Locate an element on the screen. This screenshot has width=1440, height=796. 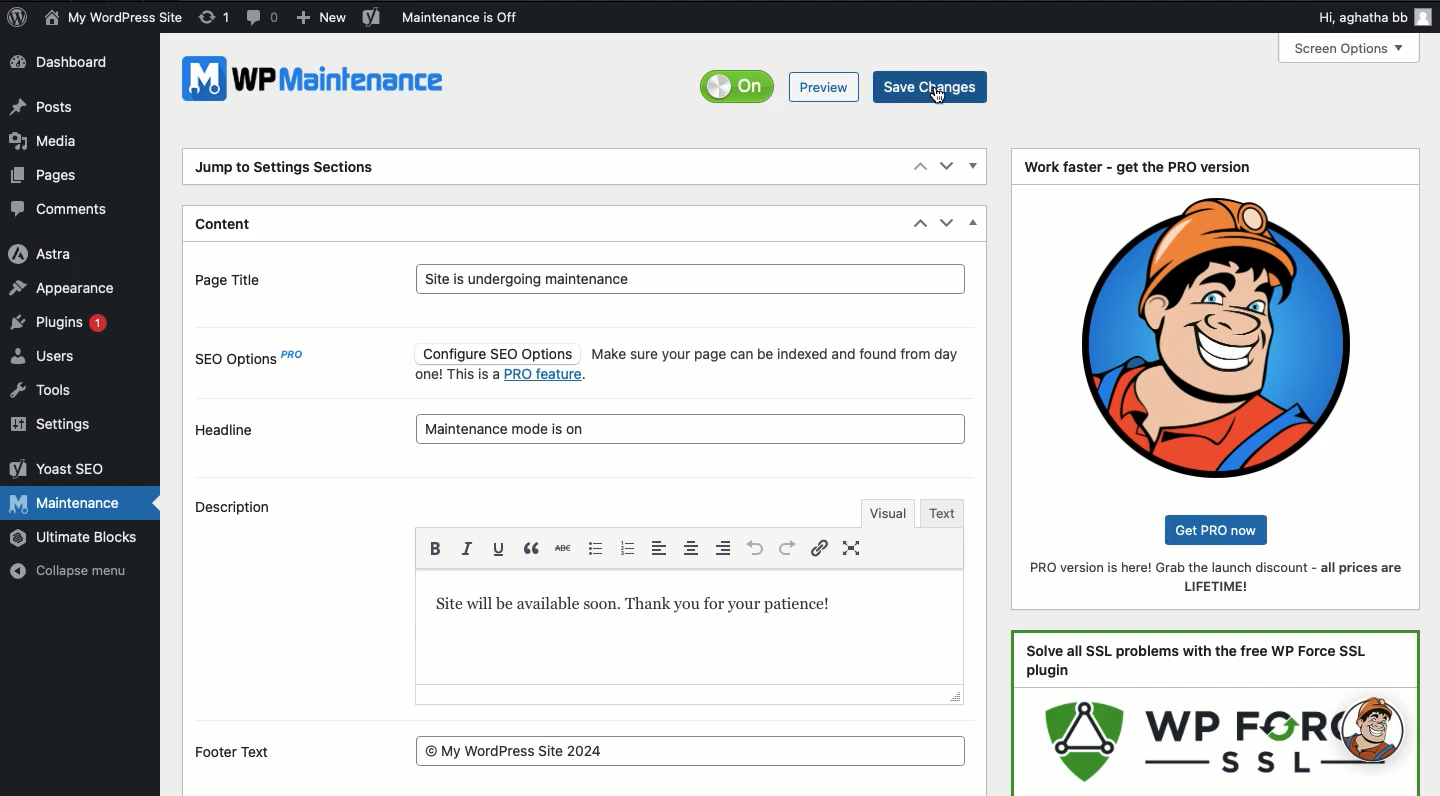
Move up down is located at coordinates (933, 224).